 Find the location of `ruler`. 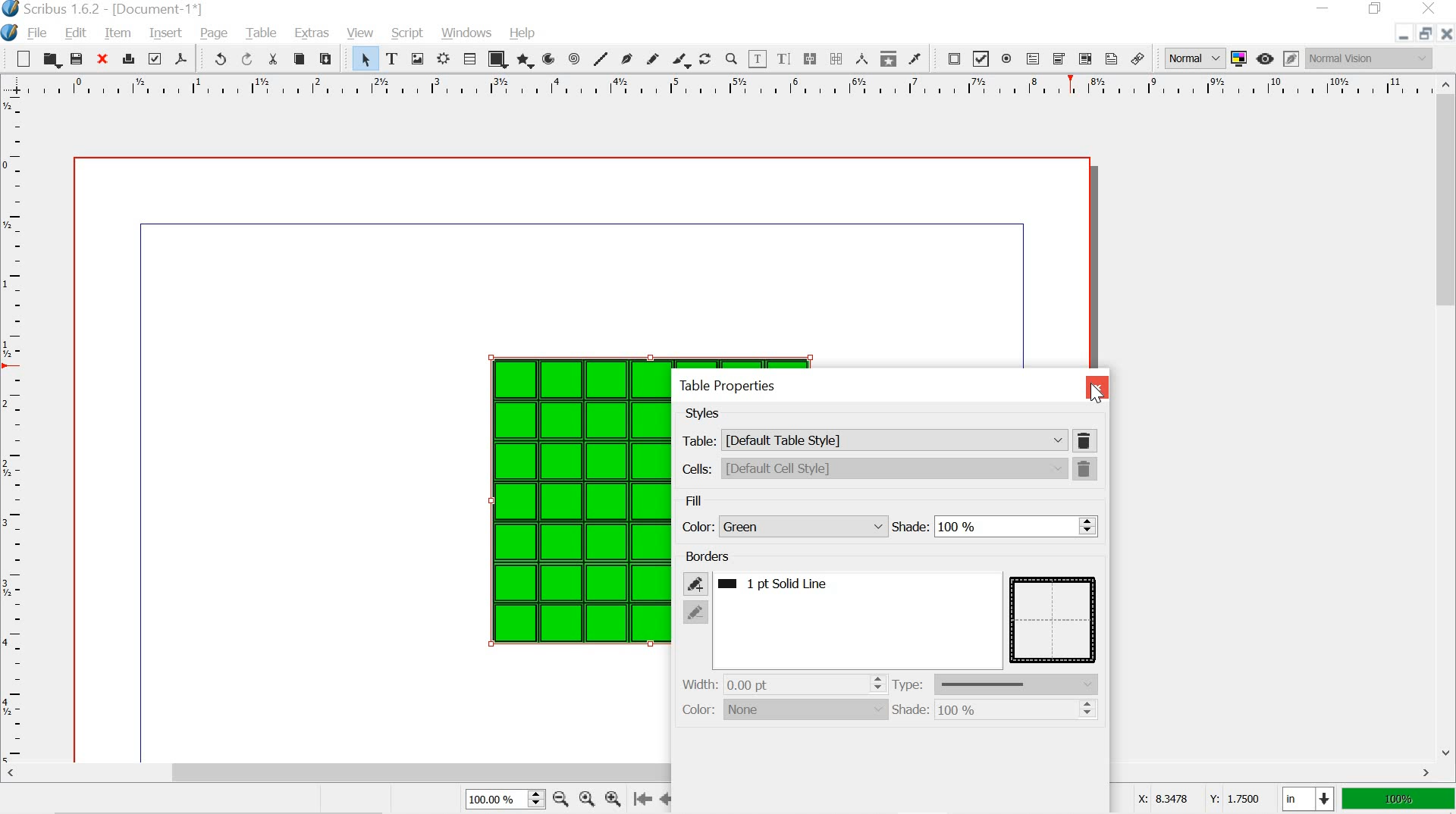

ruler is located at coordinates (14, 426).